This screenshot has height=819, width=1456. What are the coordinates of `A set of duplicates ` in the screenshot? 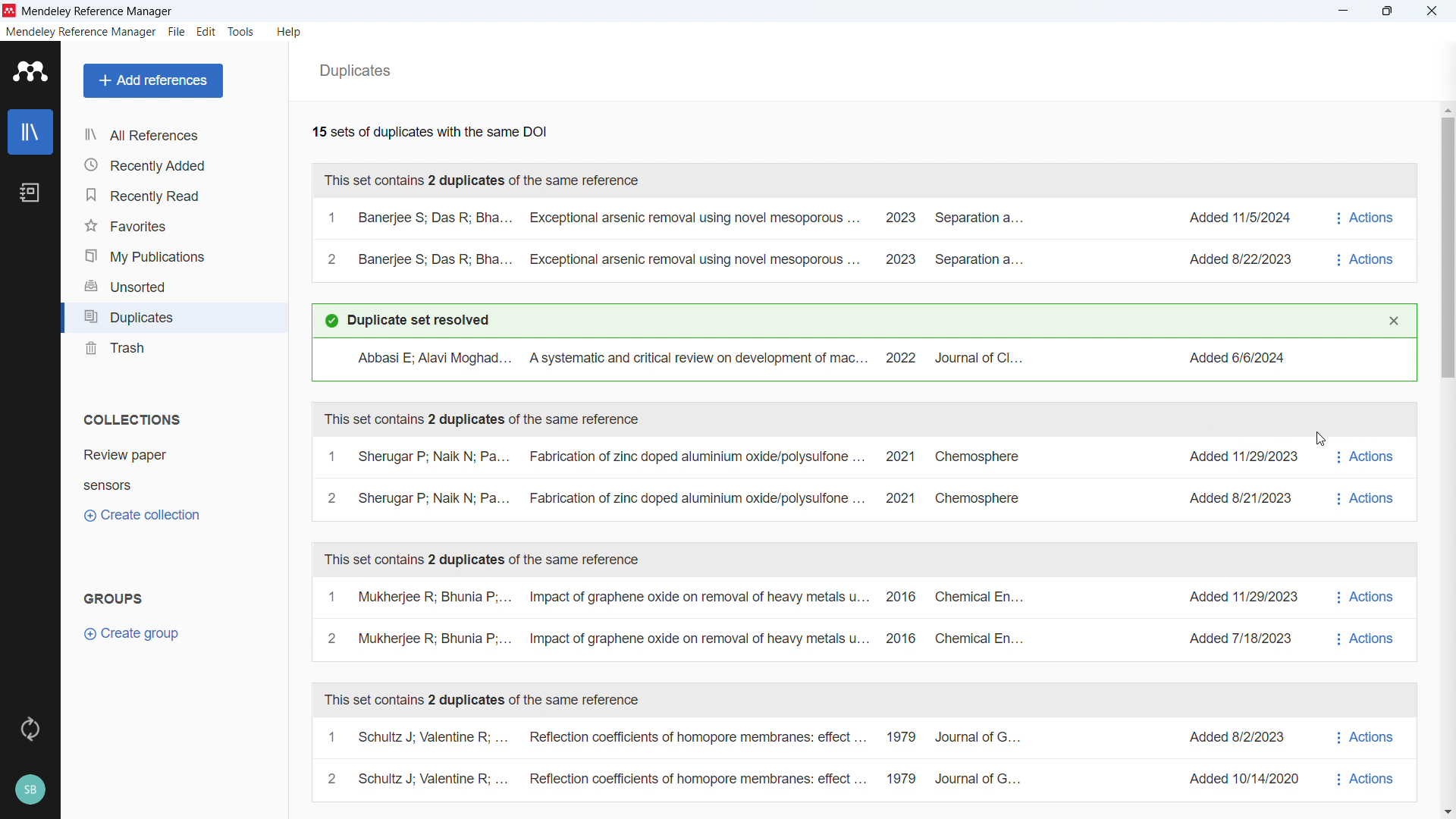 It's located at (812, 479).